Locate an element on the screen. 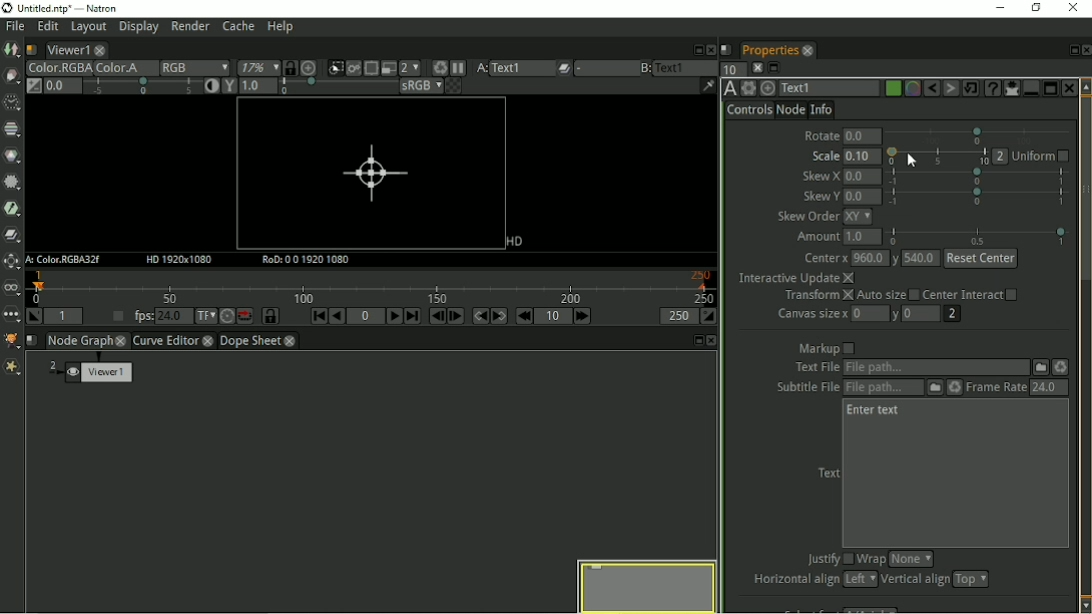 This screenshot has width=1092, height=614. Minimize is located at coordinates (1029, 88).